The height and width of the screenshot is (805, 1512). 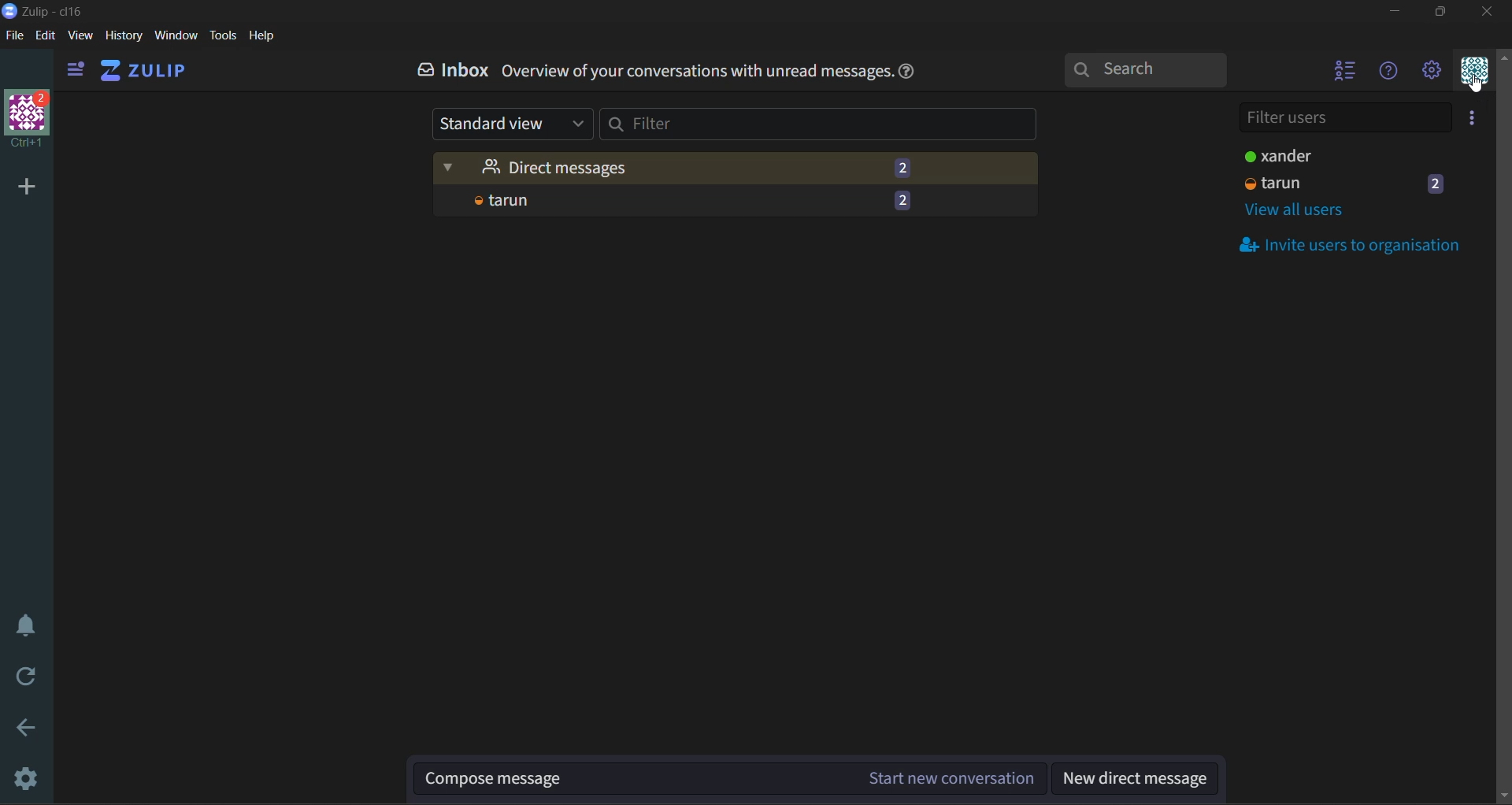 I want to click on minimize, so click(x=1397, y=13).